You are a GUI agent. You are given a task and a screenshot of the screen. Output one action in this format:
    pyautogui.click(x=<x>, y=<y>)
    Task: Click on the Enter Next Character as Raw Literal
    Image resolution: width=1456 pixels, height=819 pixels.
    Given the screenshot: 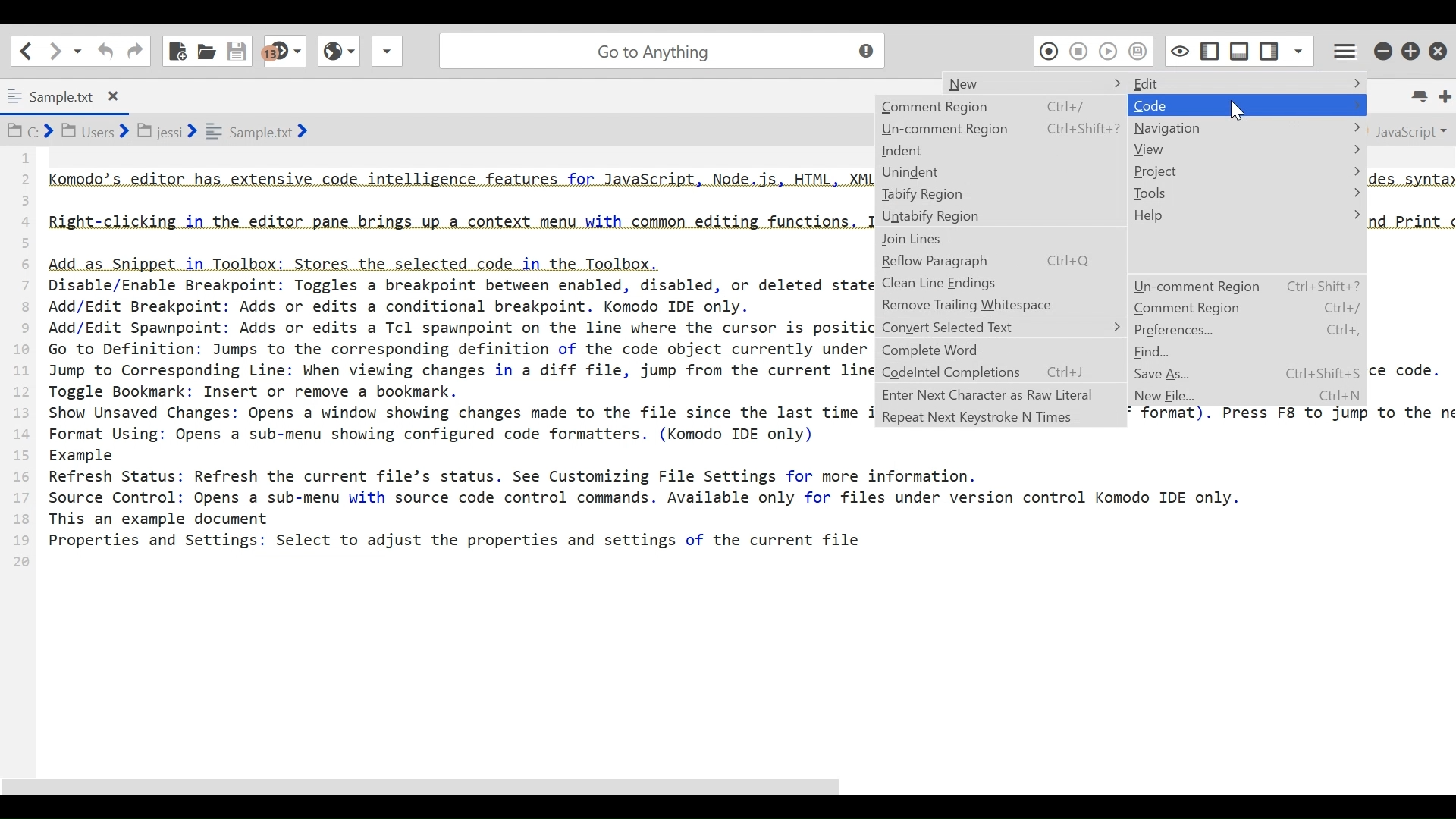 What is the action you would take?
    pyautogui.click(x=999, y=394)
    